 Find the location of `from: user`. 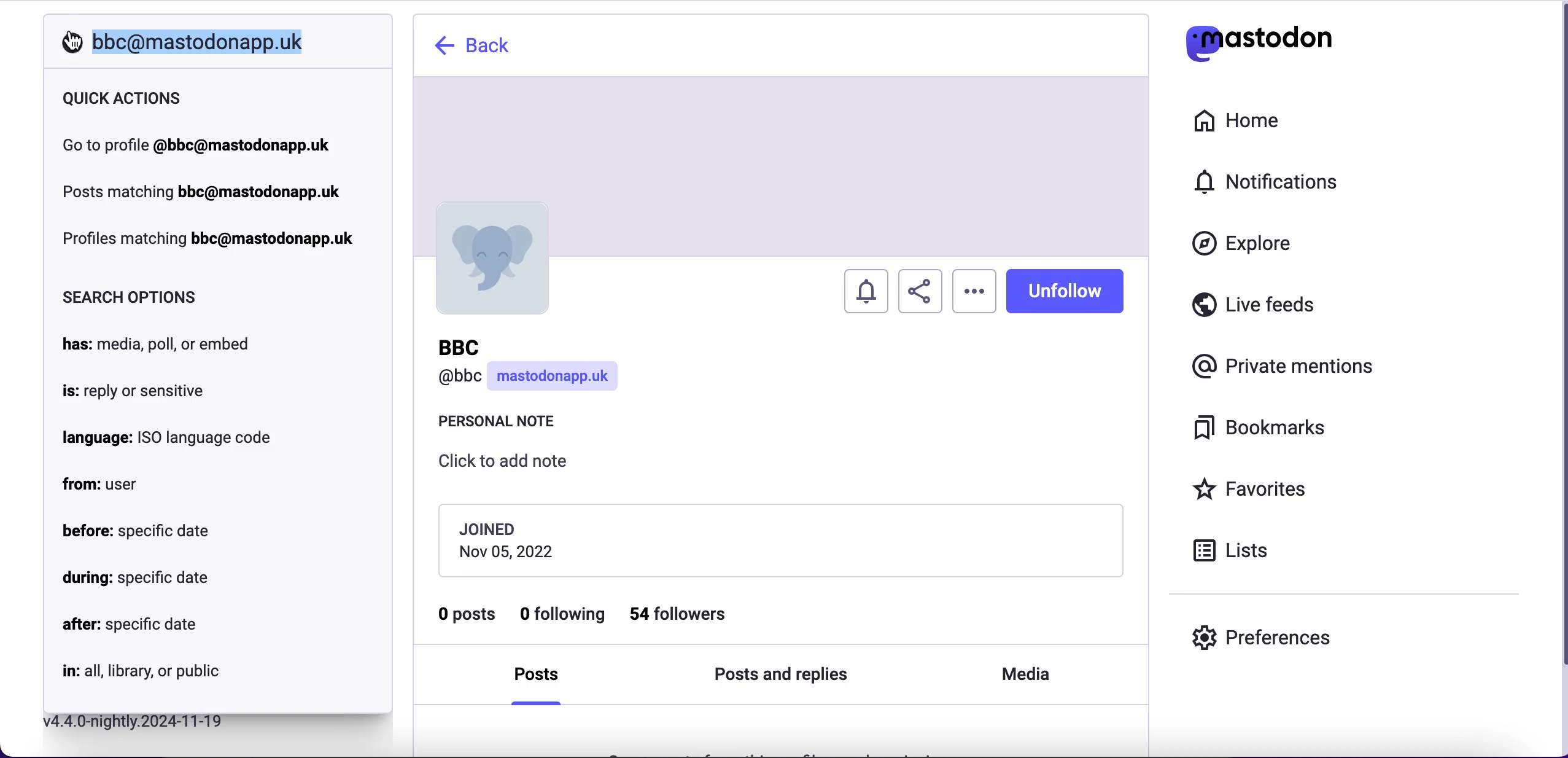

from: user is located at coordinates (102, 486).